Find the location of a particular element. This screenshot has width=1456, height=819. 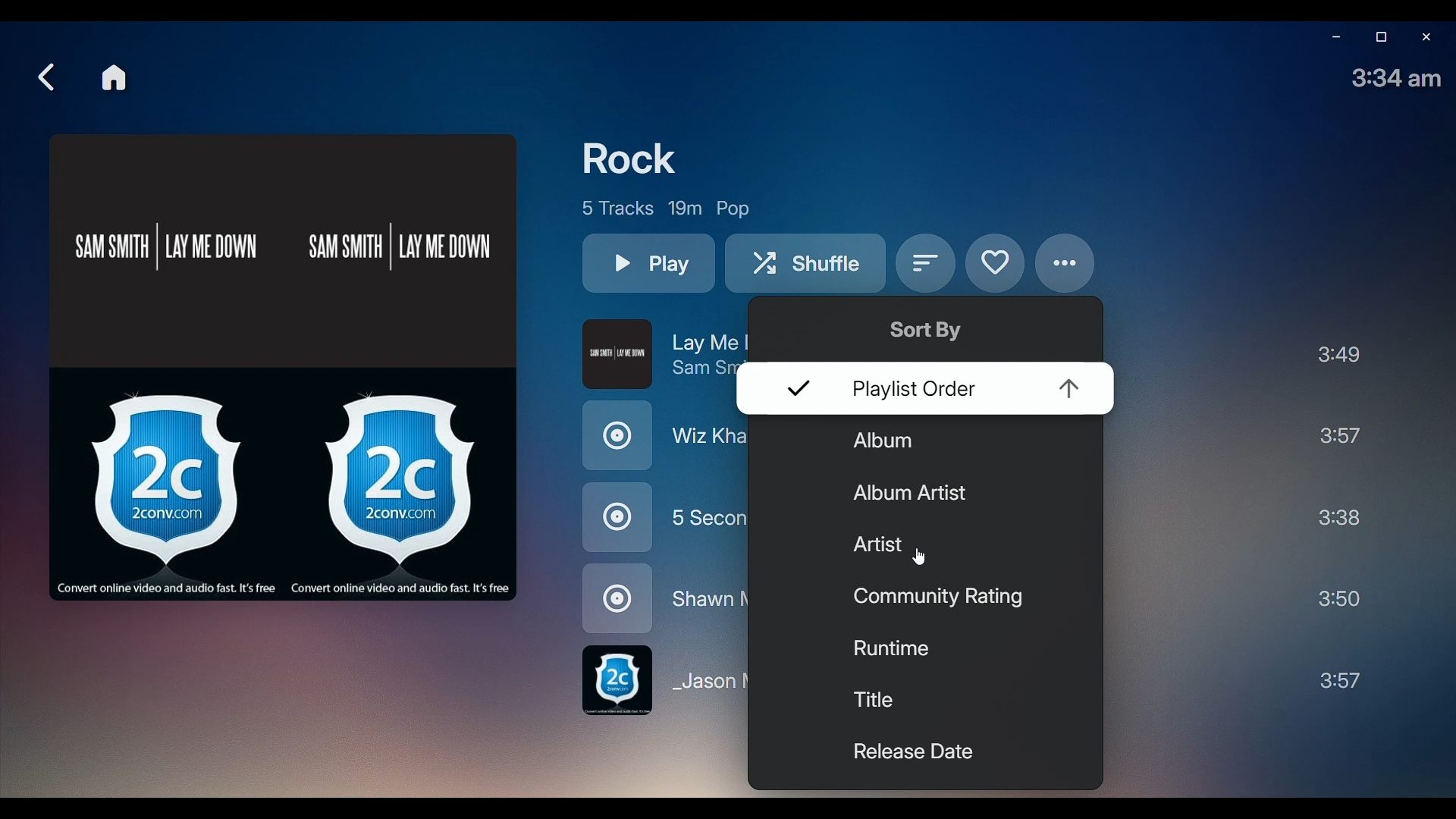

Restore is located at coordinates (1379, 38).